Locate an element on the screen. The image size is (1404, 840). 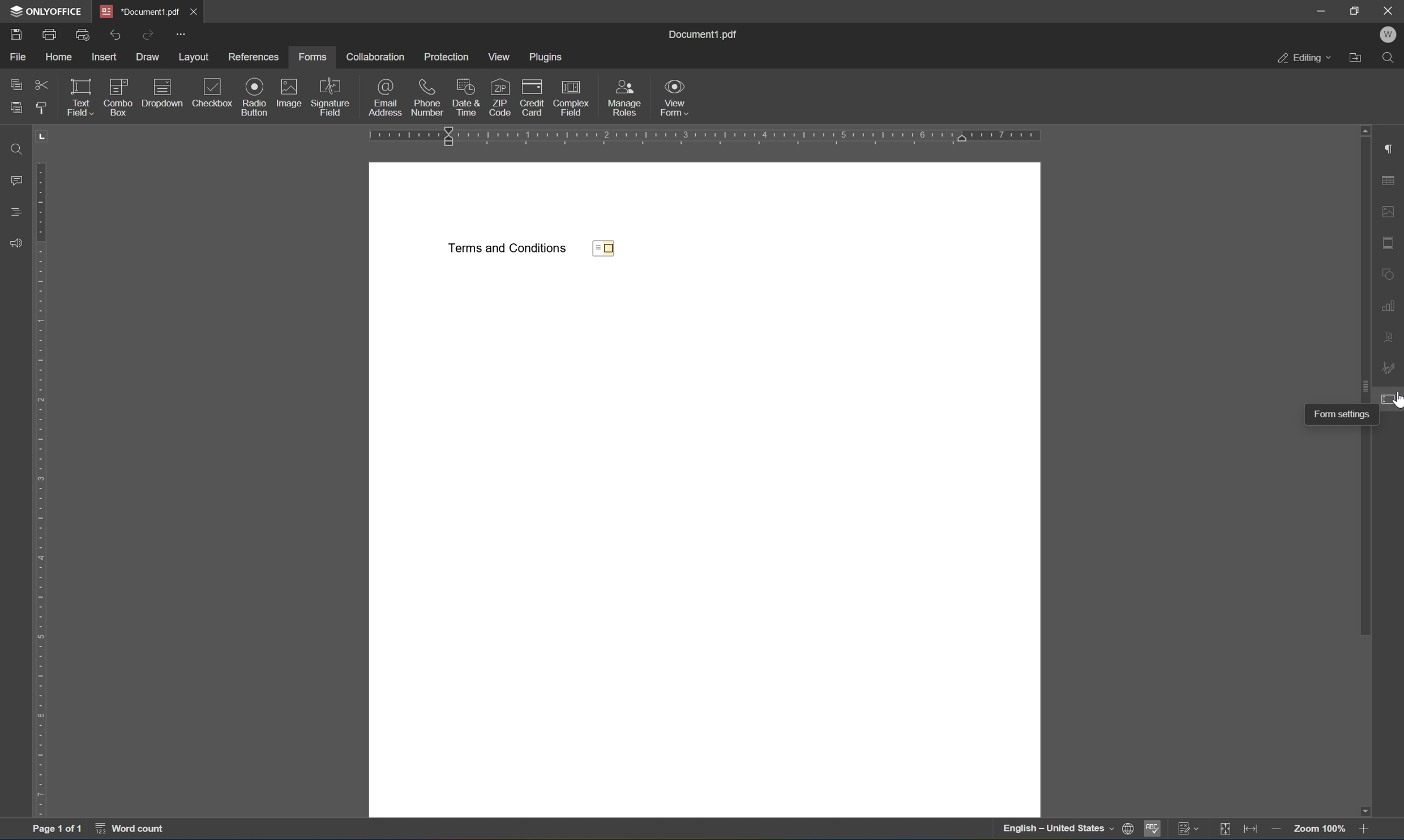
feedback and support is located at coordinates (17, 246).